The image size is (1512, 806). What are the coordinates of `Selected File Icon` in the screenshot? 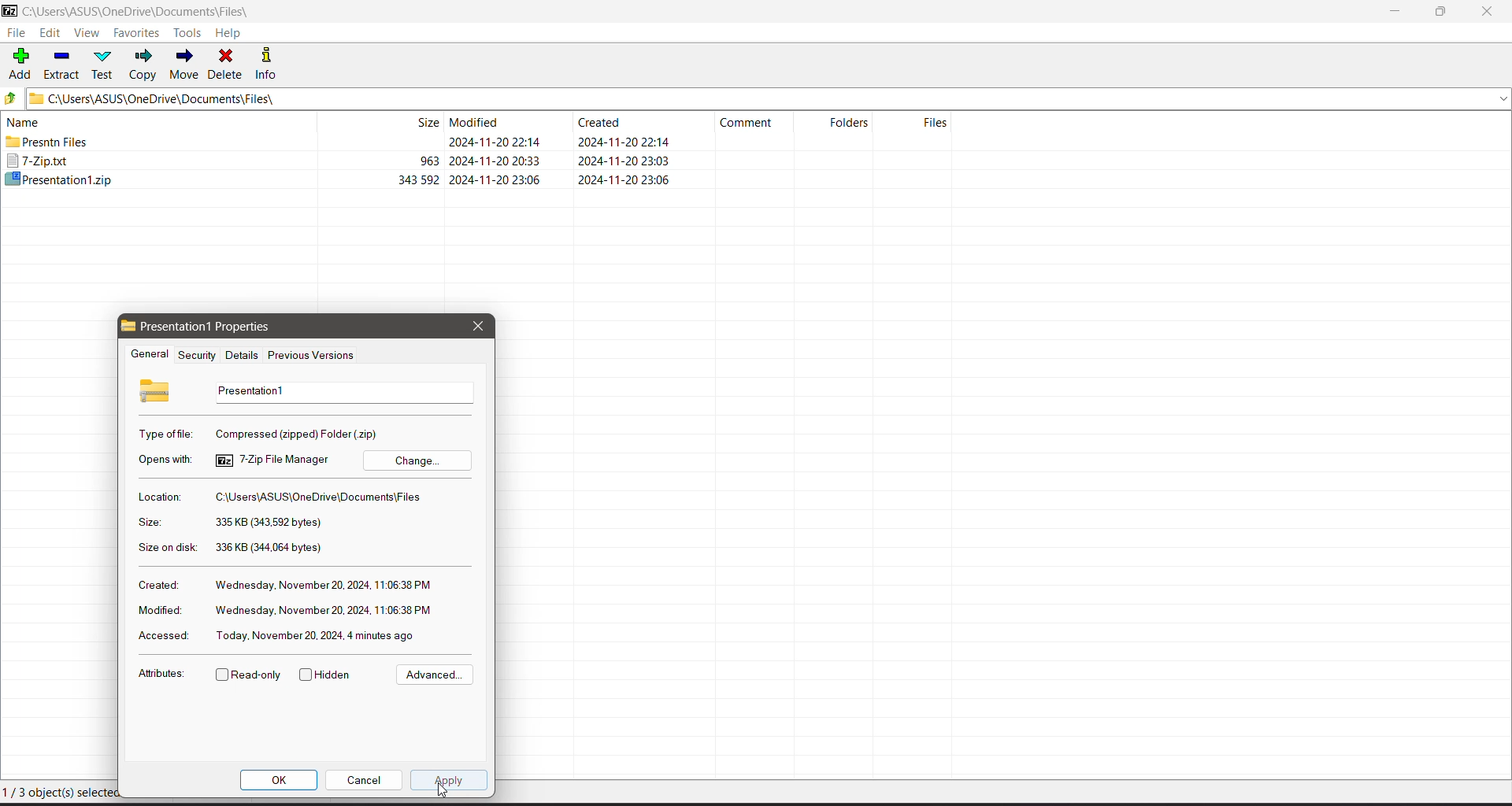 It's located at (157, 390).